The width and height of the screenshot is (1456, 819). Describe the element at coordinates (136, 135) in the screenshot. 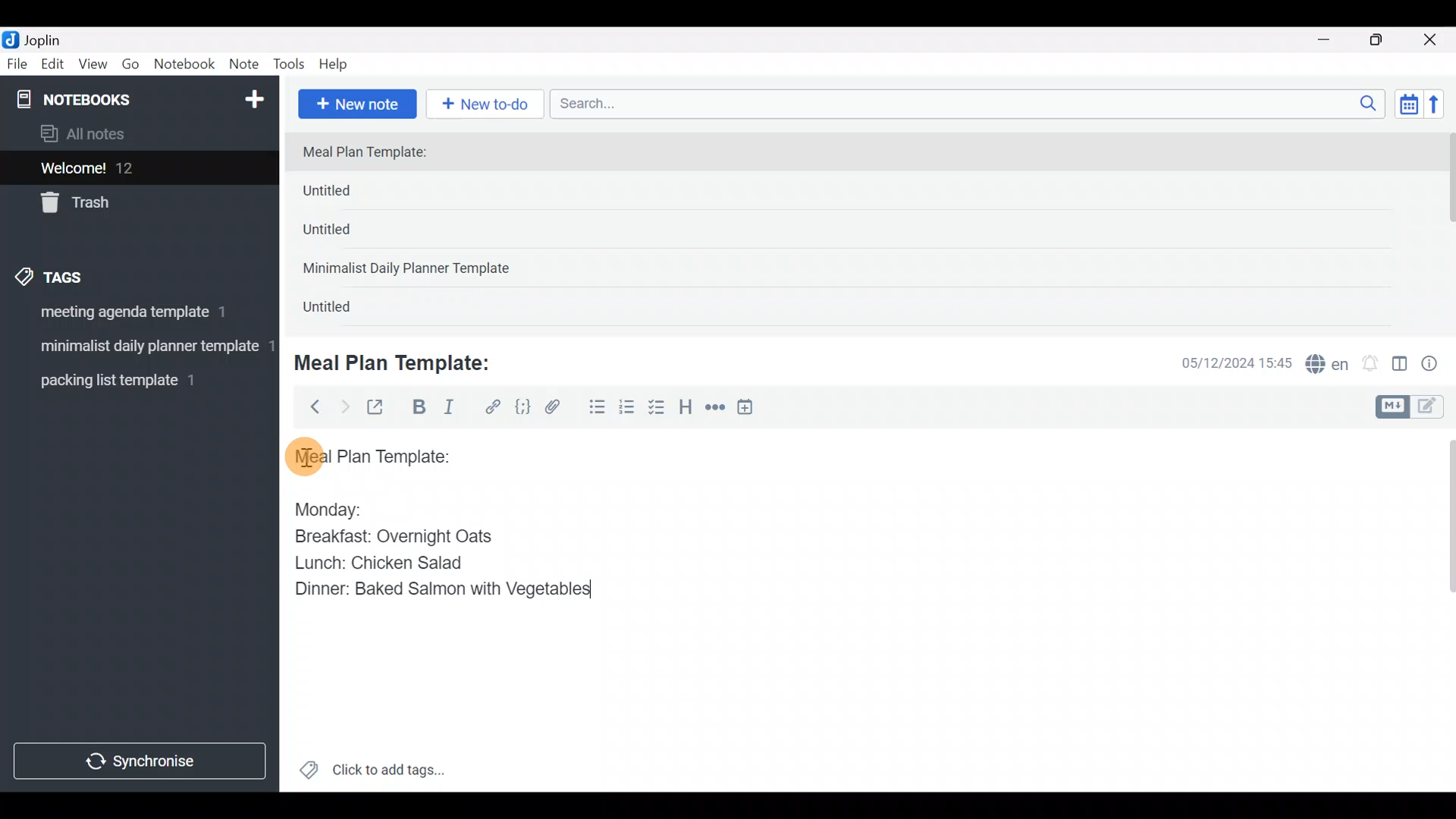

I see `All notes` at that location.